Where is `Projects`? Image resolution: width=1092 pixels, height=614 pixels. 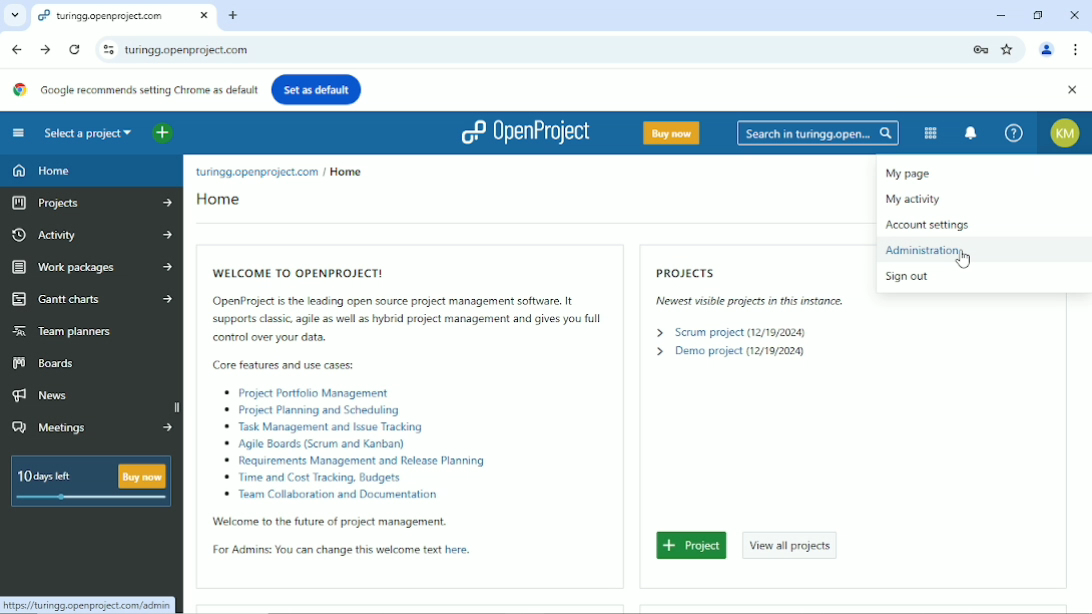 Projects is located at coordinates (93, 203).